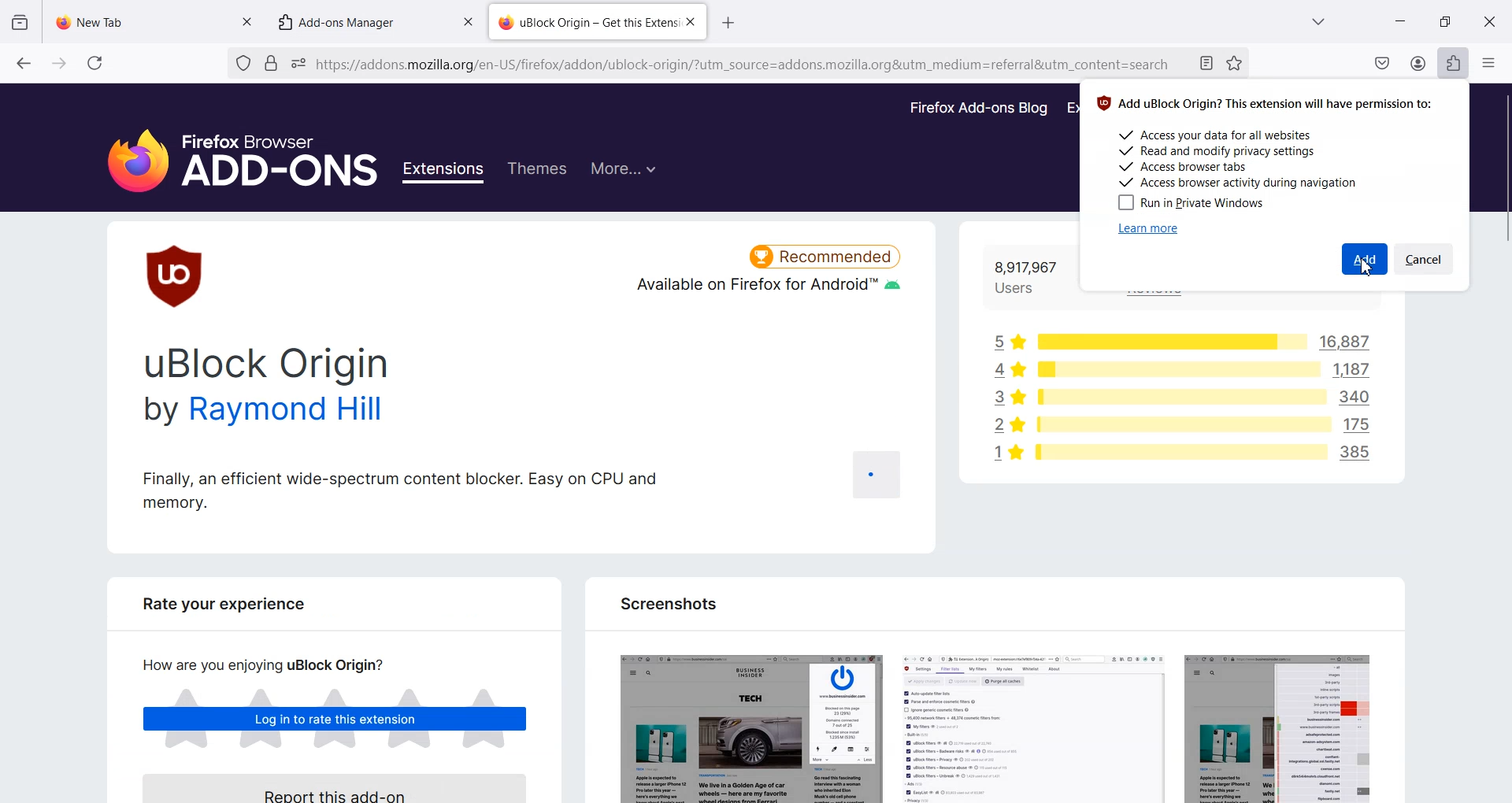 The image size is (1512, 803). What do you see at coordinates (766, 291) in the screenshot?
I see `Available on Firefox for Android™` at bounding box center [766, 291].